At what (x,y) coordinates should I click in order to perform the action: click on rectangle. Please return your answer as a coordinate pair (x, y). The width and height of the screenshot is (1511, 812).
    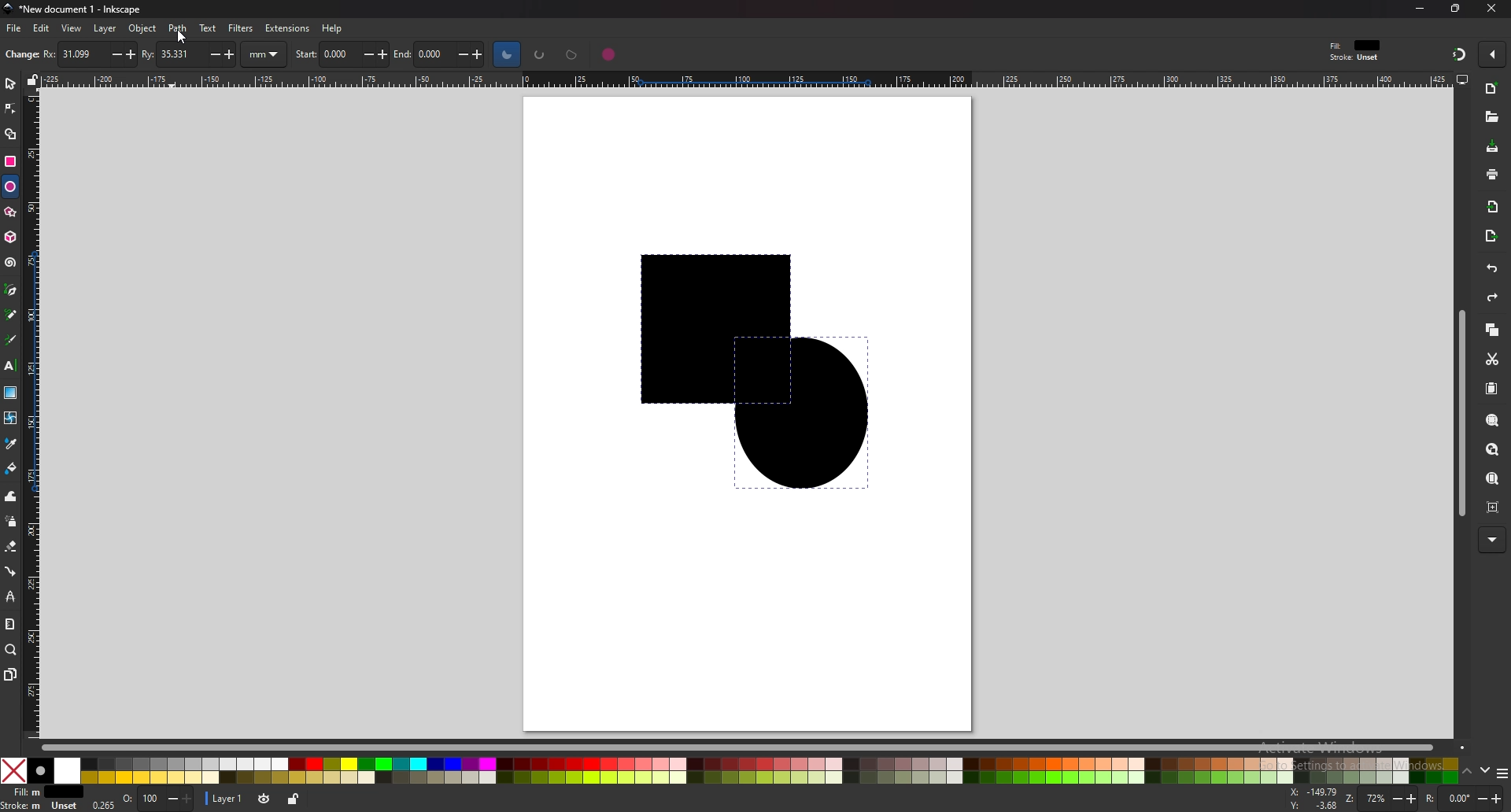
    Looking at the image, I should click on (11, 160).